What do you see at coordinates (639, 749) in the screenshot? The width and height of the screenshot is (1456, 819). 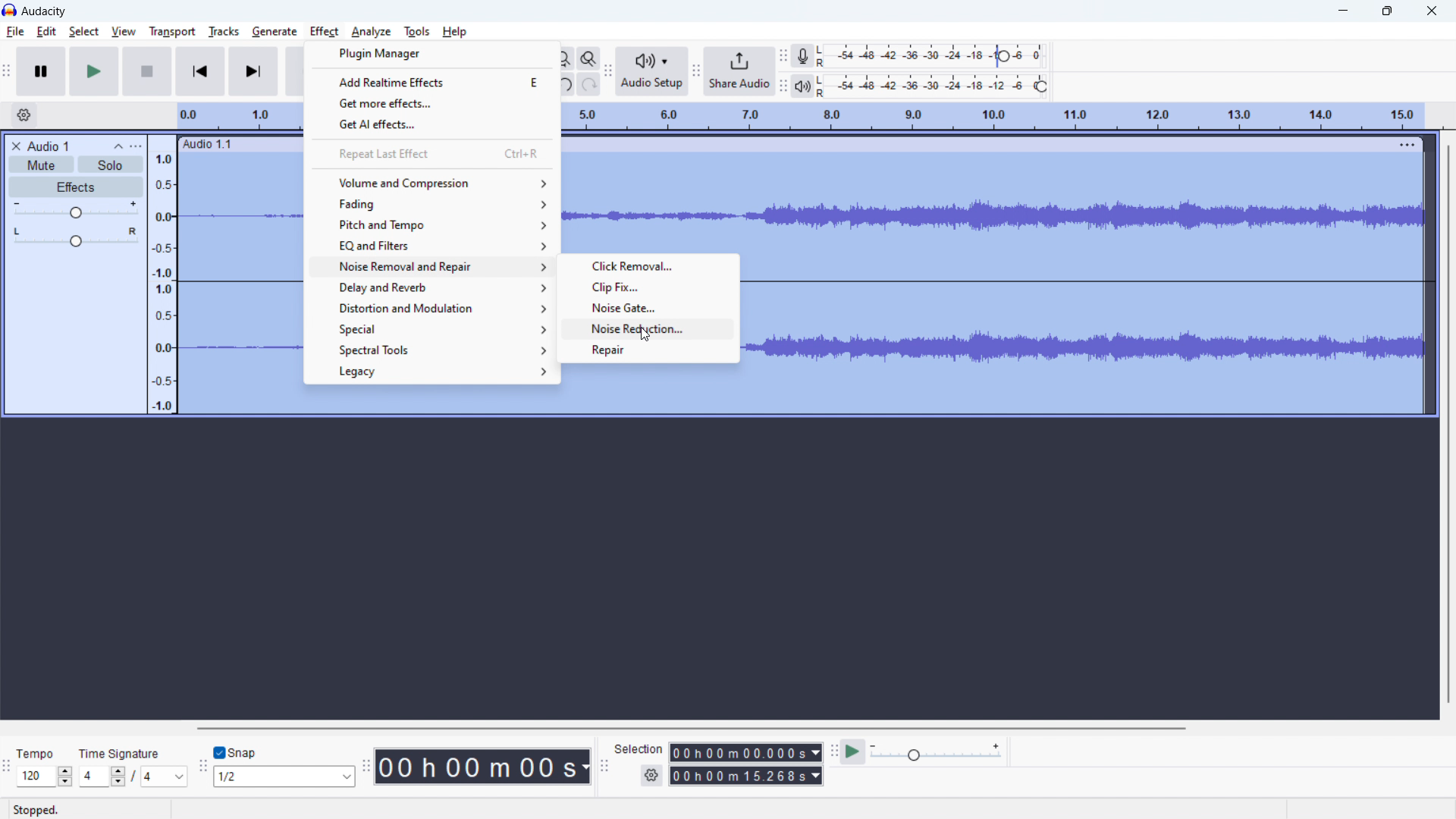 I see `Selection` at bounding box center [639, 749].